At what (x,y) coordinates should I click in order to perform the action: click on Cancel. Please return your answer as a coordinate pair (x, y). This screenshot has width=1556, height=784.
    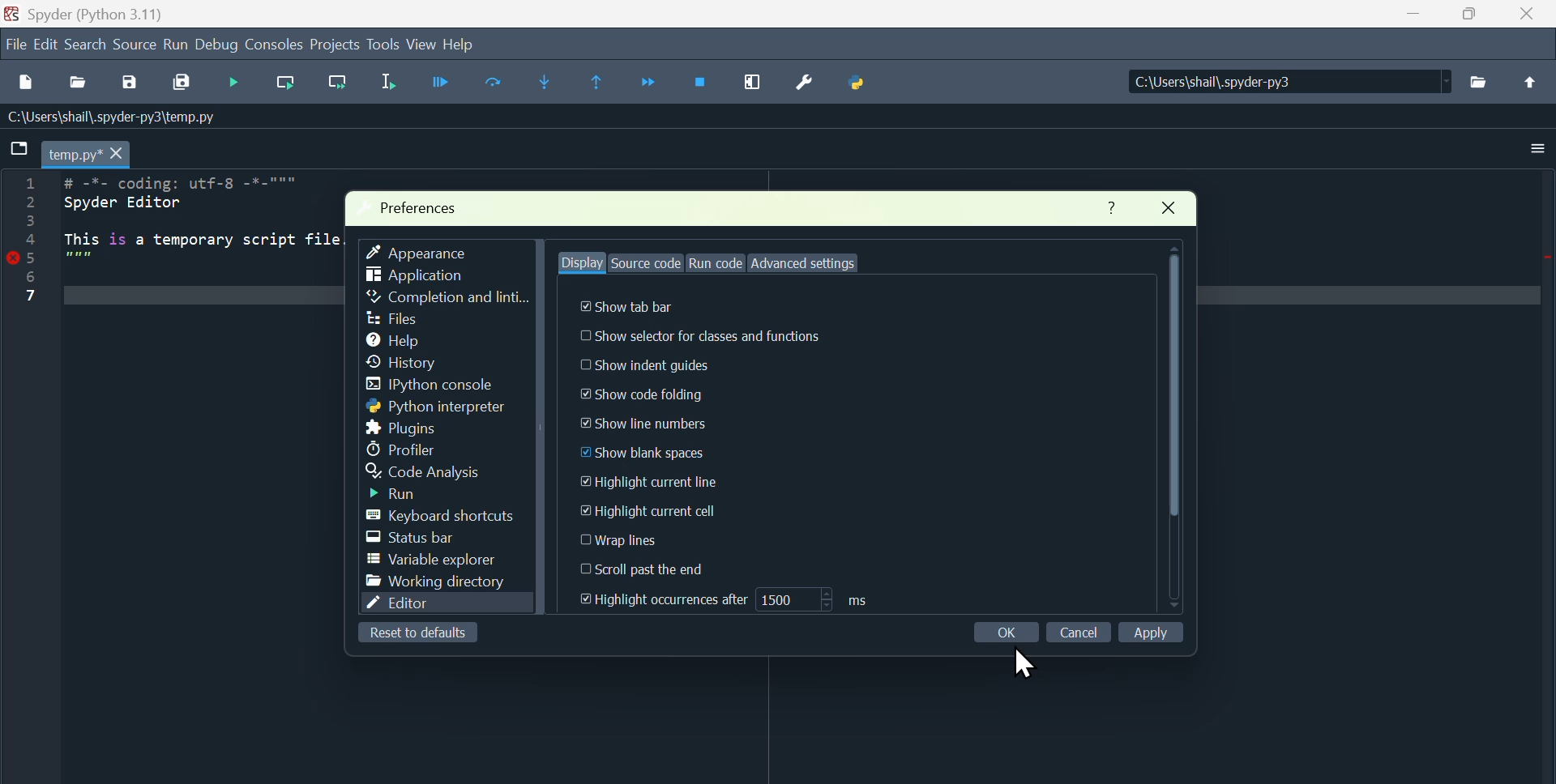
    Looking at the image, I should click on (1084, 633).